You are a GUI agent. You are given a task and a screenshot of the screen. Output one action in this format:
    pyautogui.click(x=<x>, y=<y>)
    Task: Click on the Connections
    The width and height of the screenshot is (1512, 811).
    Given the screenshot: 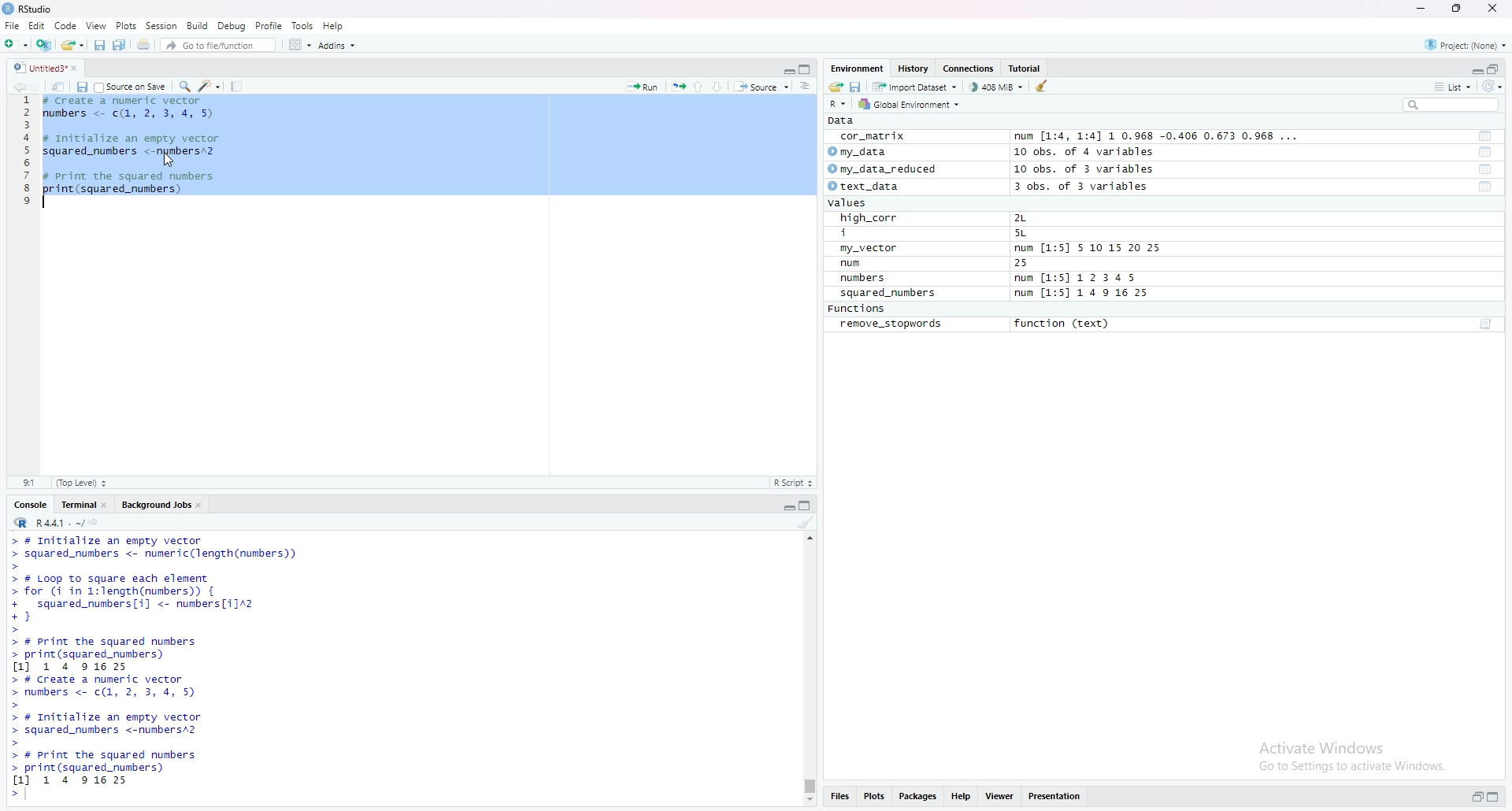 What is the action you would take?
    pyautogui.click(x=970, y=69)
    